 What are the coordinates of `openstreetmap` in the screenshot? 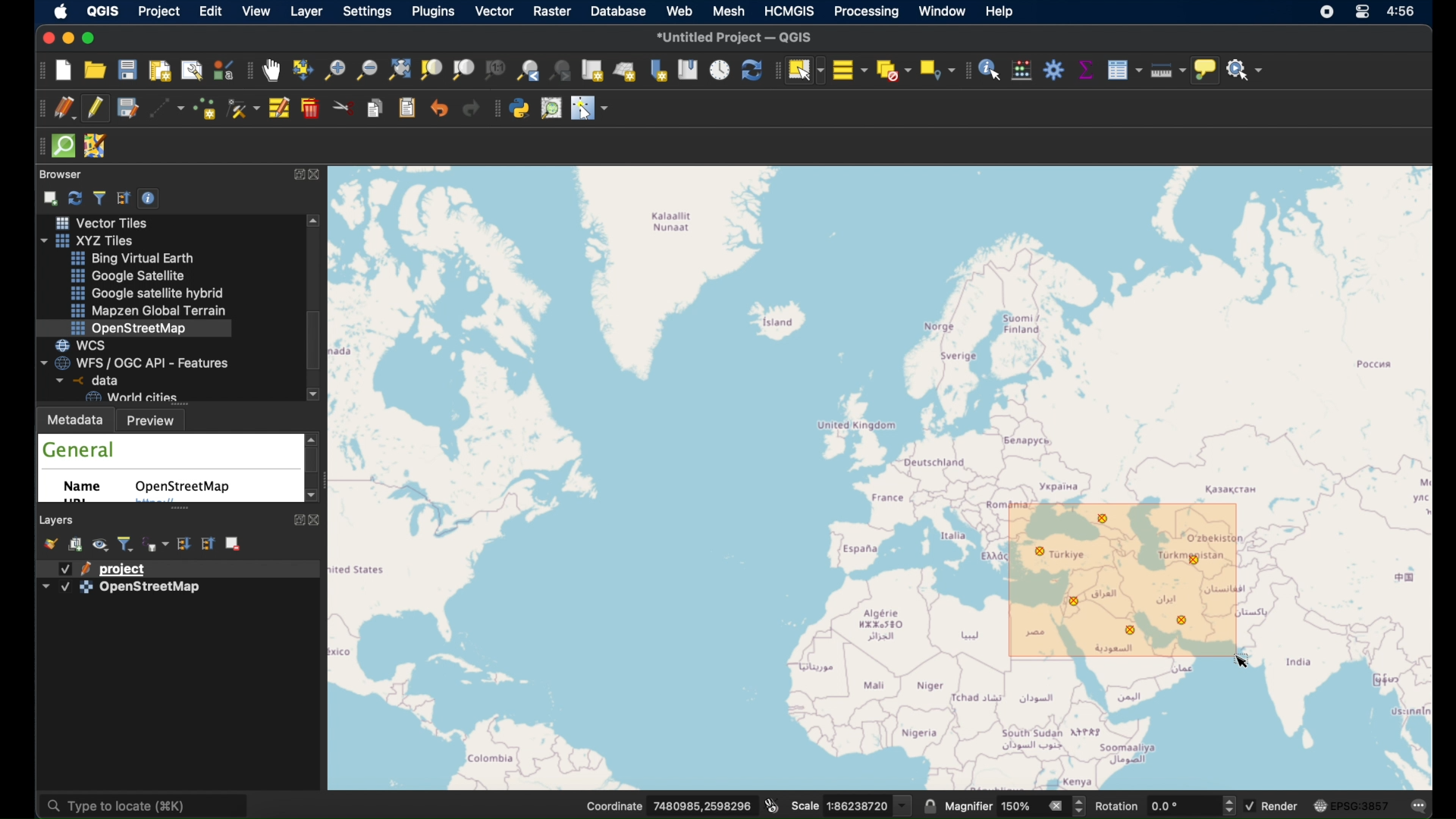 It's located at (186, 487).